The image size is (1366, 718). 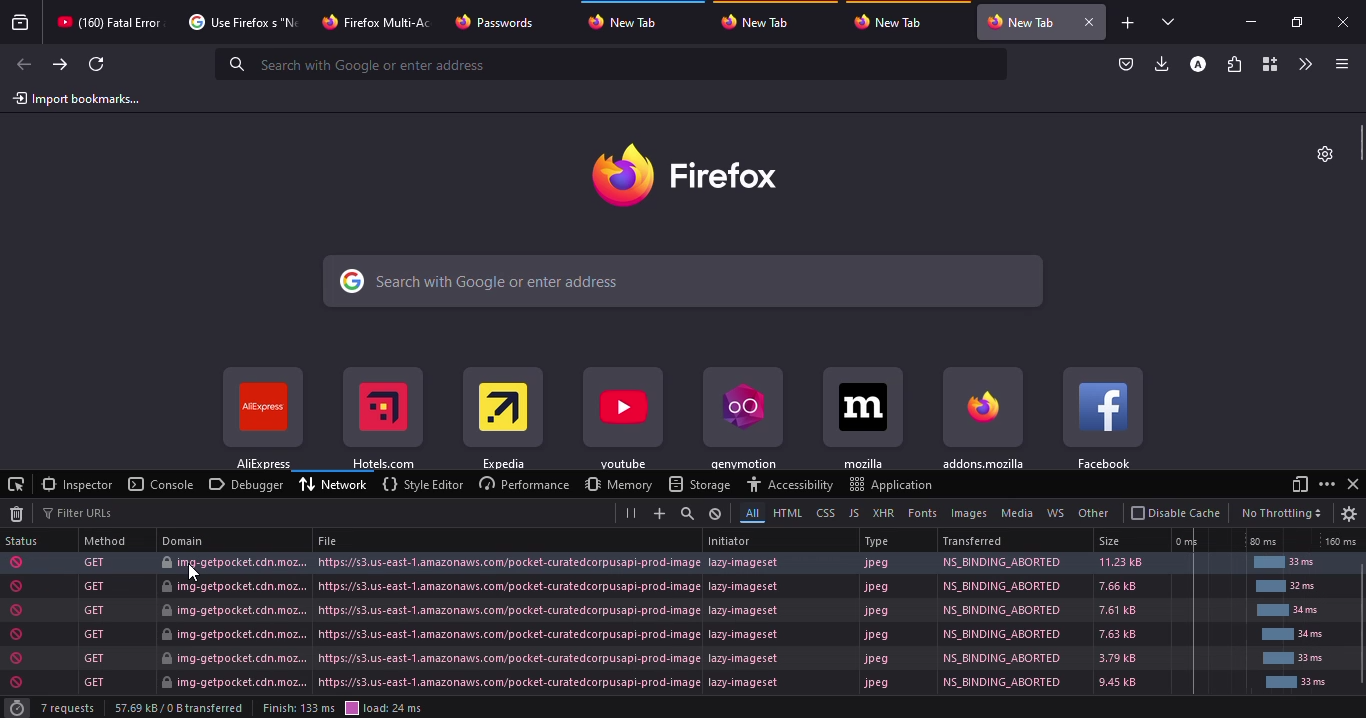 I want to click on shortcuts, so click(x=983, y=417).